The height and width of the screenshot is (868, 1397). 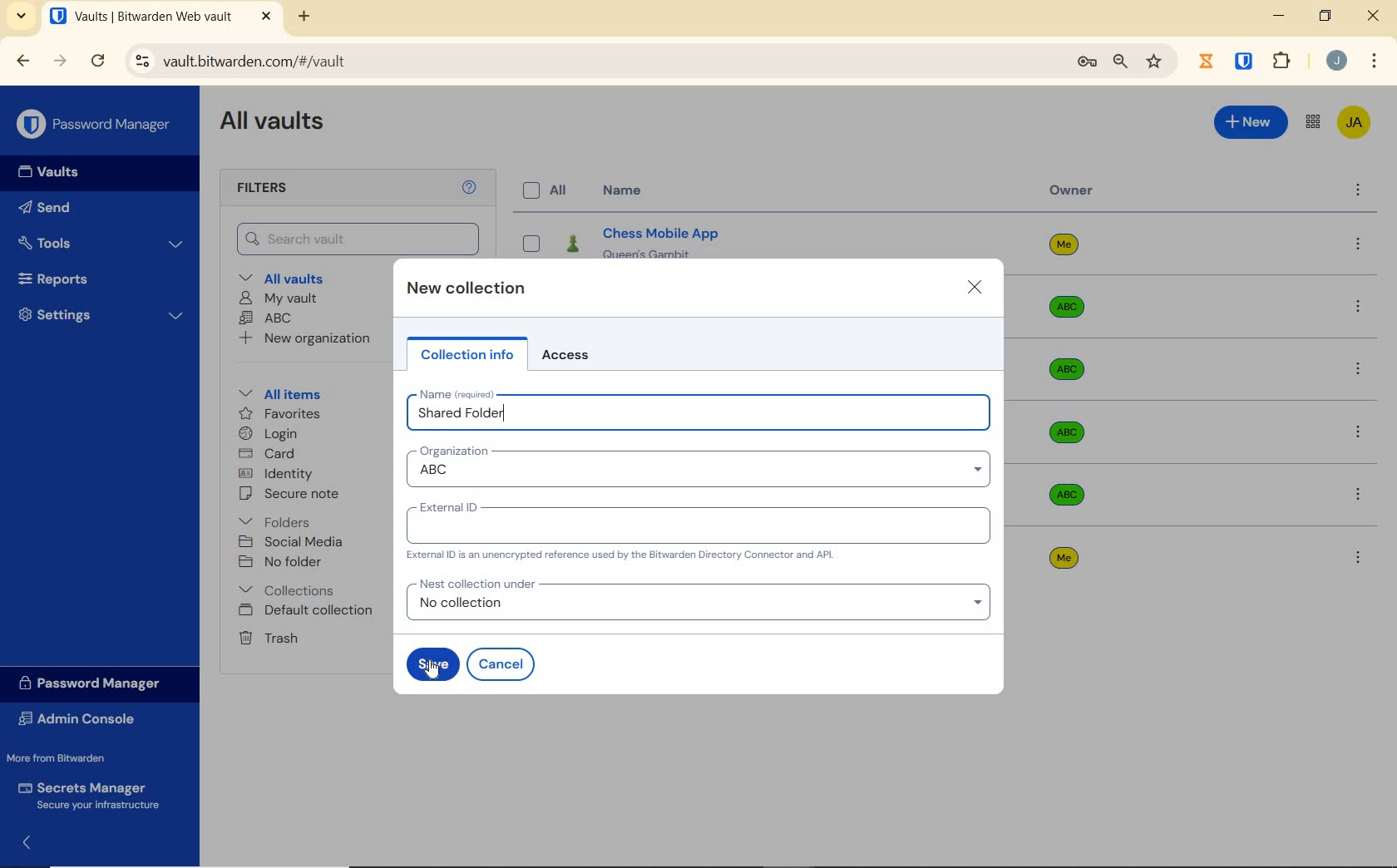 I want to click on secure note, so click(x=289, y=495).